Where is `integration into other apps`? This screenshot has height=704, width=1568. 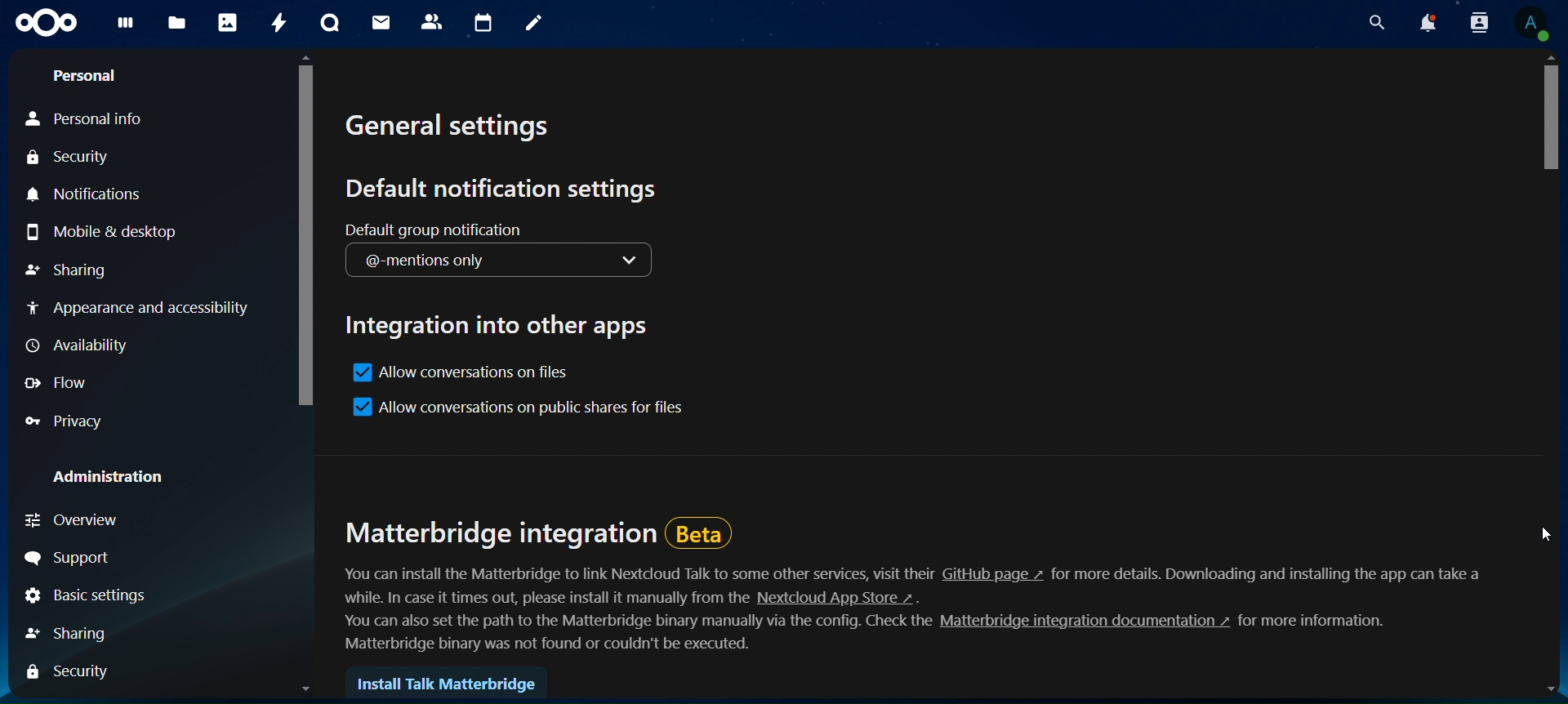
integration into other apps is located at coordinates (501, 324).